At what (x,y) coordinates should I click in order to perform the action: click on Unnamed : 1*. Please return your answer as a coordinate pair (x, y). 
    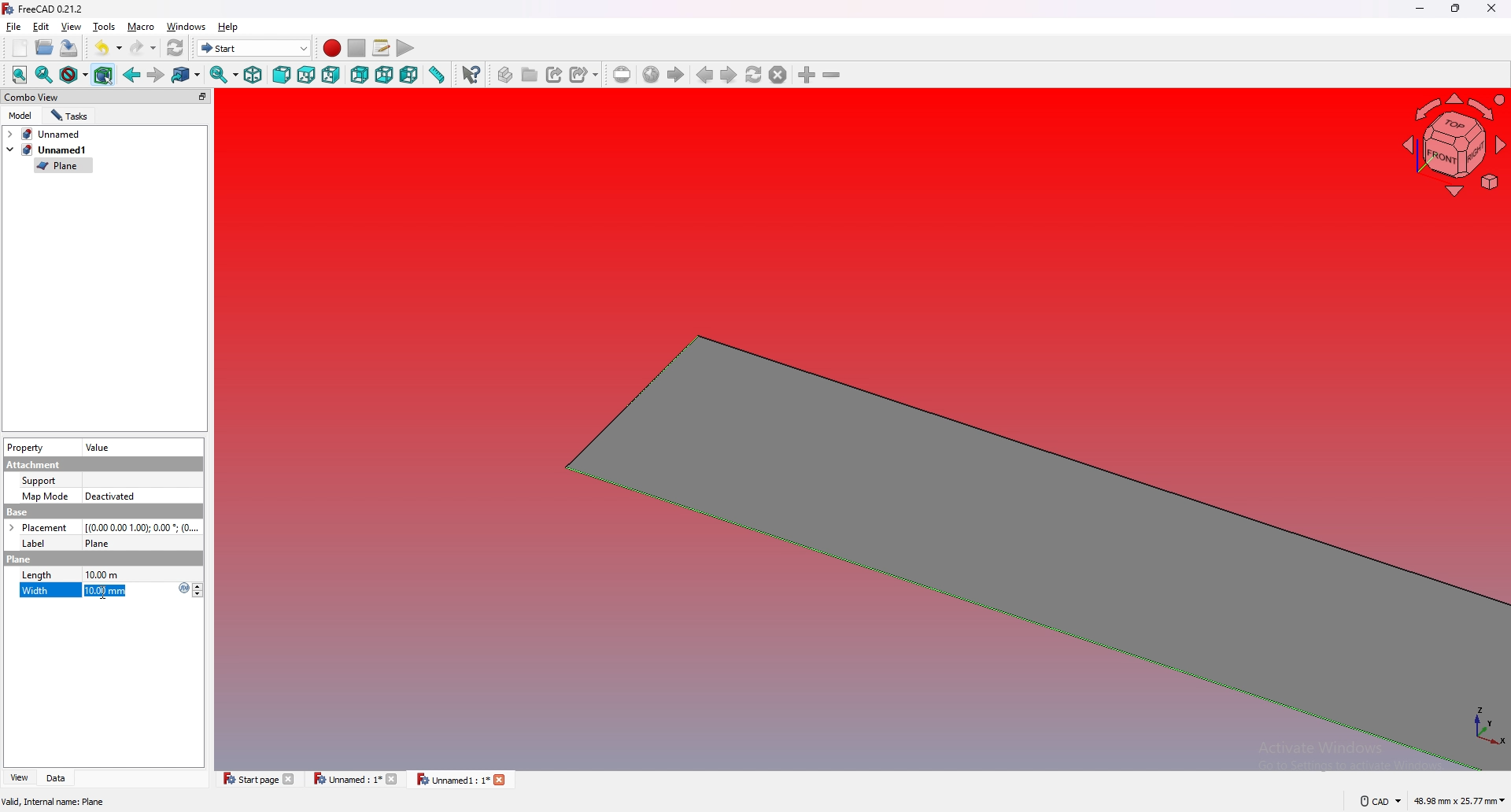
    Looking at the image, I should click on (356, 779).